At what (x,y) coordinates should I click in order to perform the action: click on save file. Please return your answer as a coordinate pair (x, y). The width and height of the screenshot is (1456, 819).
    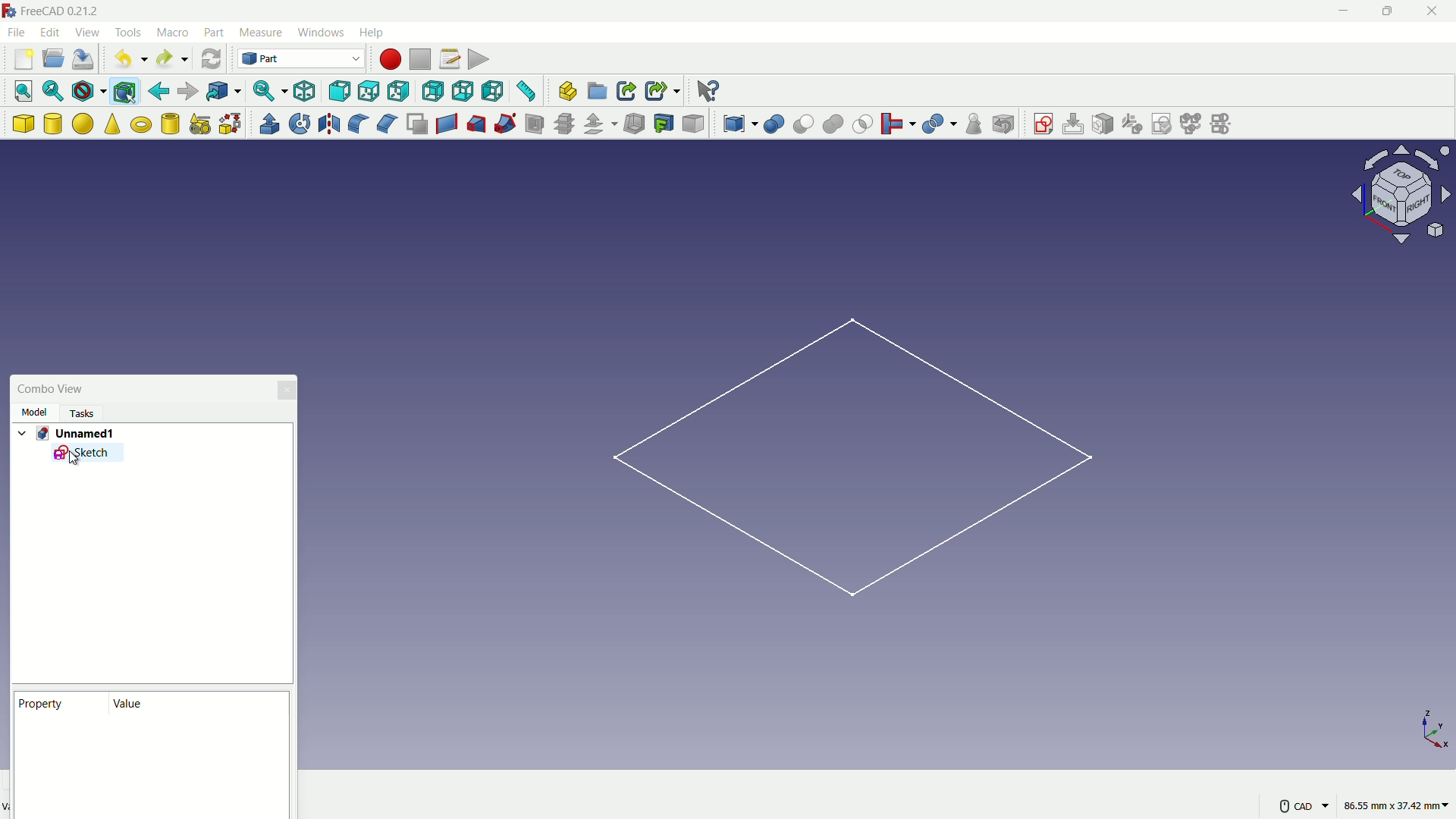
    Looking at the image, I should click on (83, 60).